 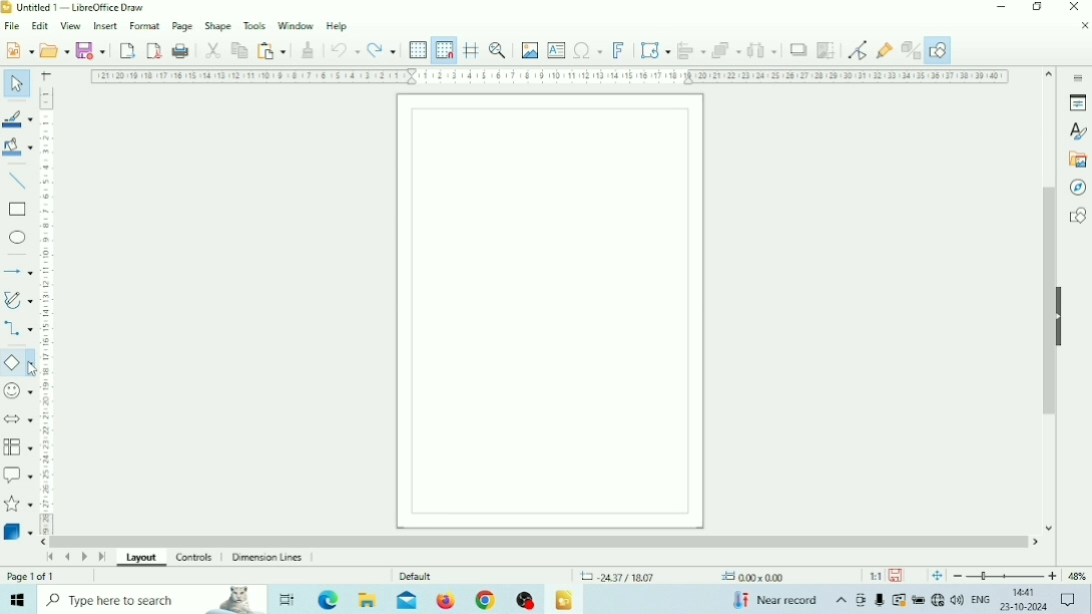 What do you see at coordinates (858, 50) in the screenshot?
I see `Toggle point edit mode` at bounding box center [858, 50].